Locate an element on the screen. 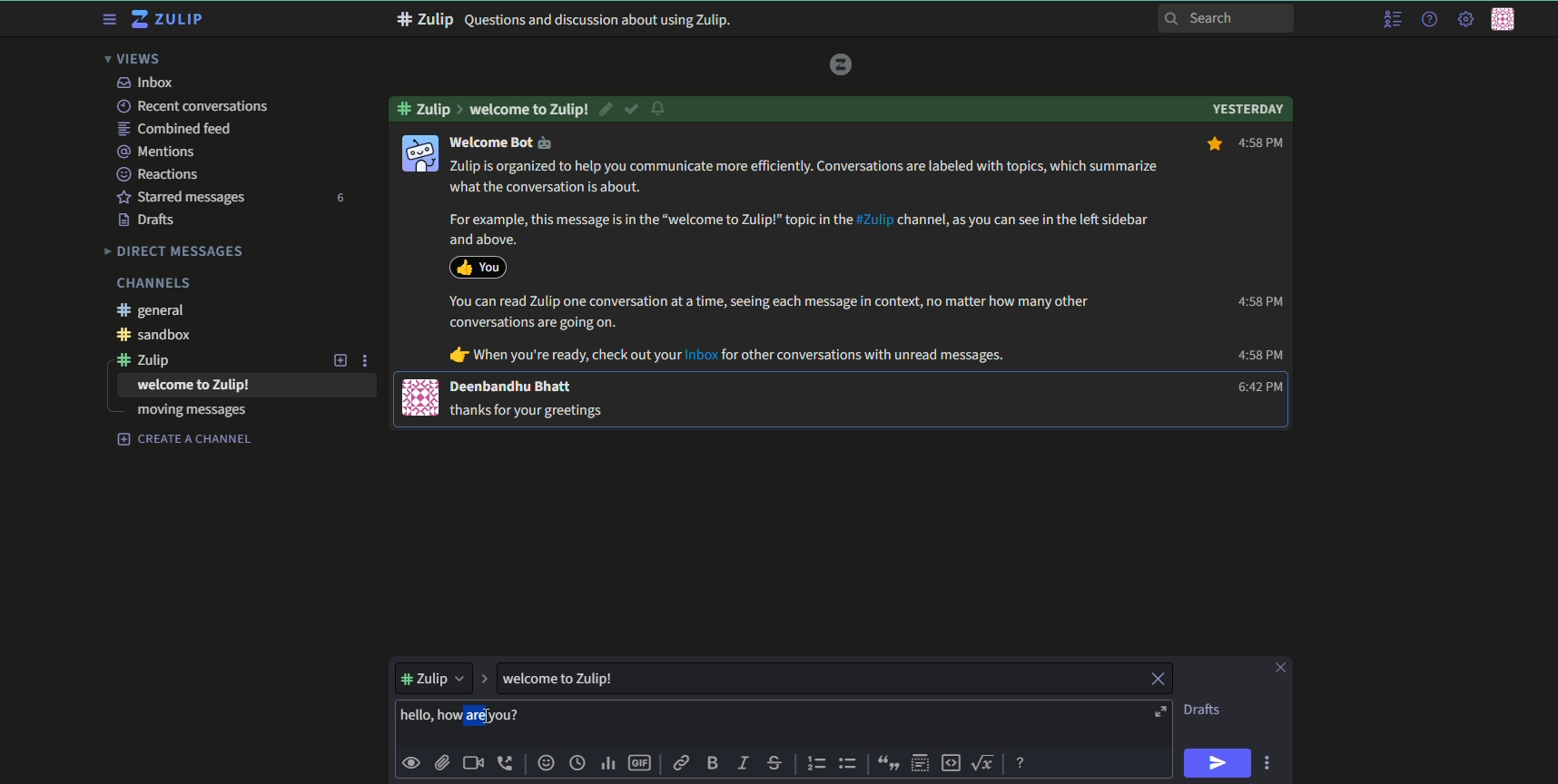 This screenshot has height=784, width=1558. #zulip is located at coordinates (428, 107).